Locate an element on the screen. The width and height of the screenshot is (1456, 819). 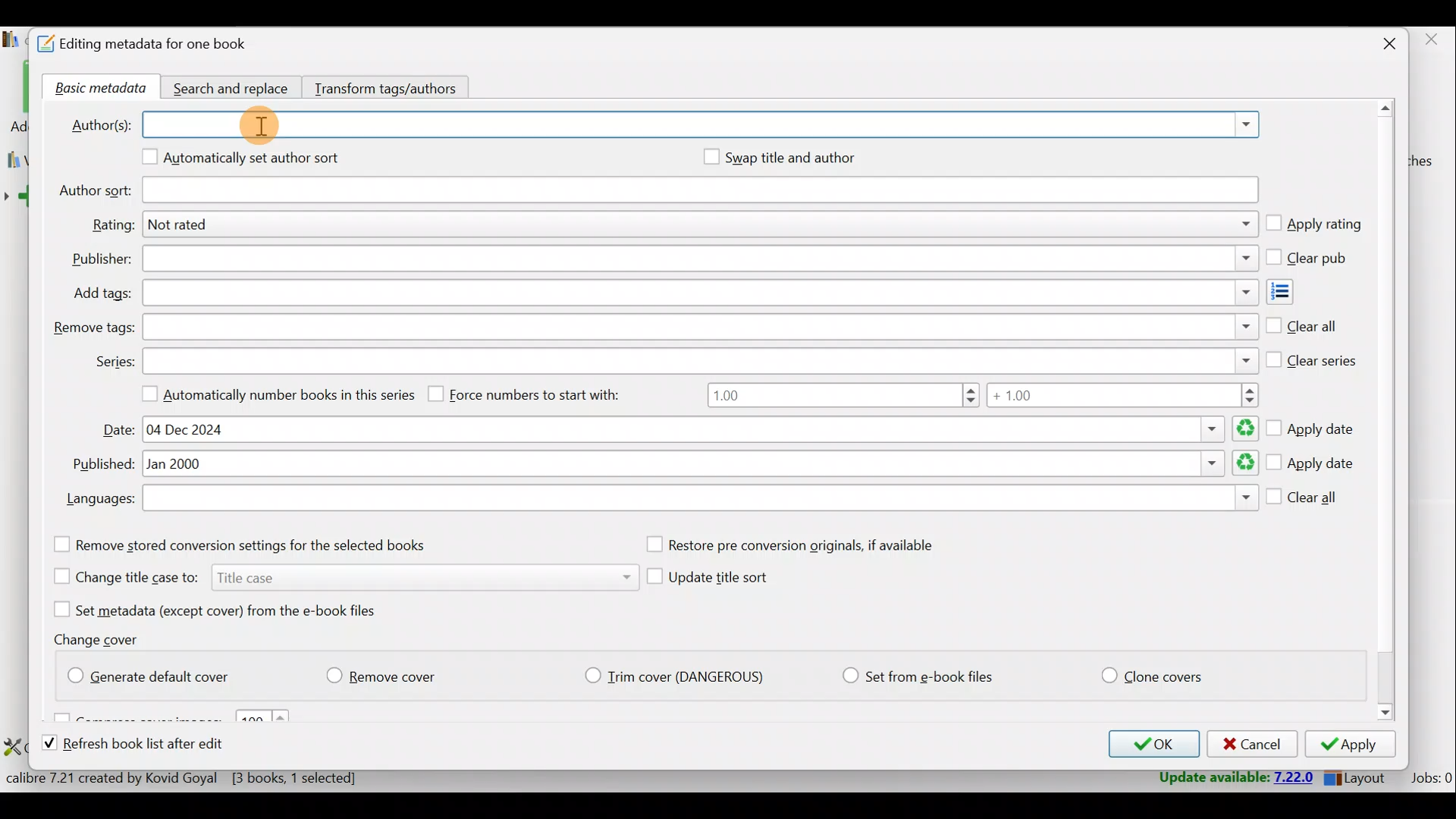
Clear series is located at coordinates (1313, 357).